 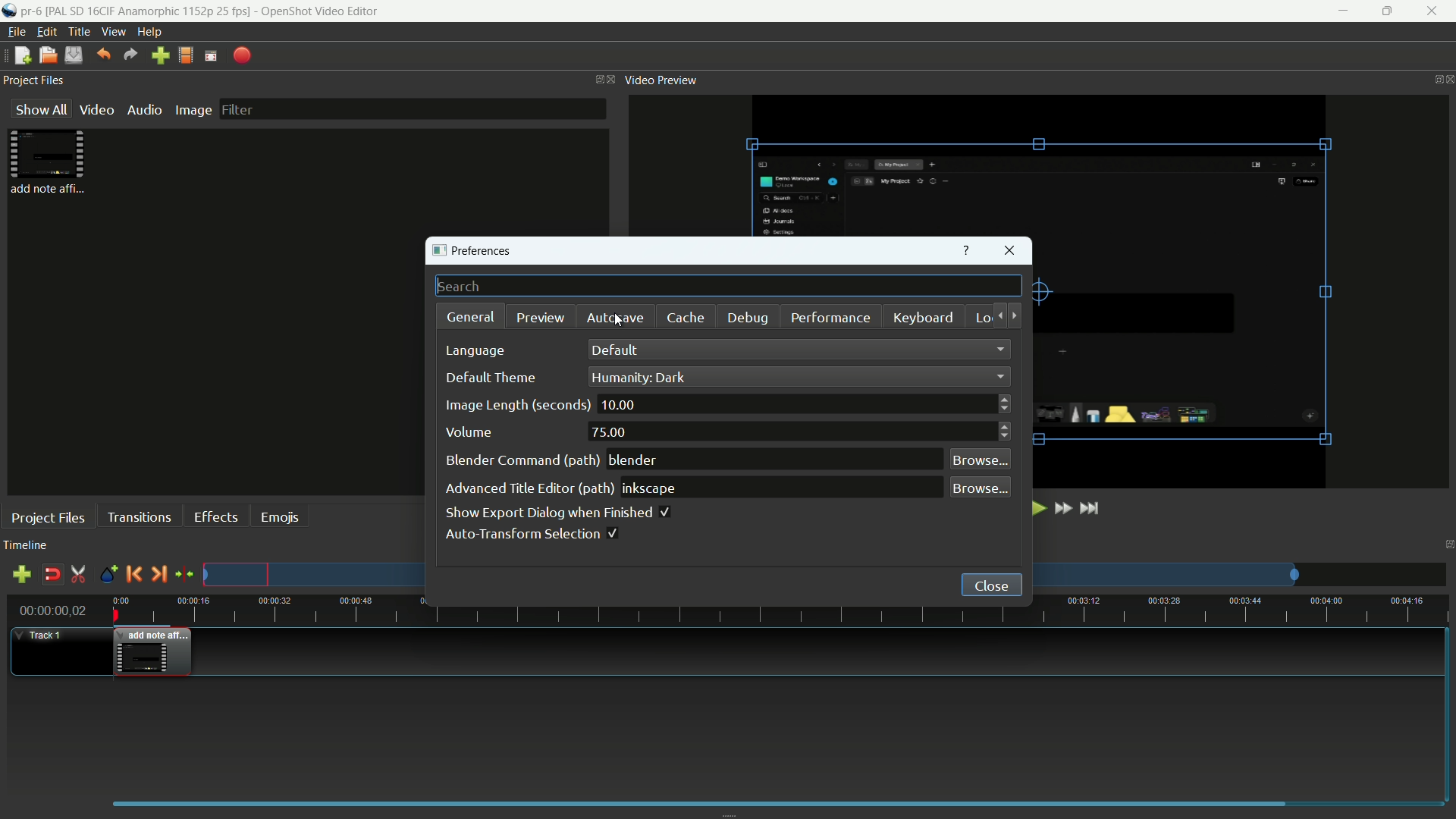 I want to click on blender, so click(x=522, y=461).